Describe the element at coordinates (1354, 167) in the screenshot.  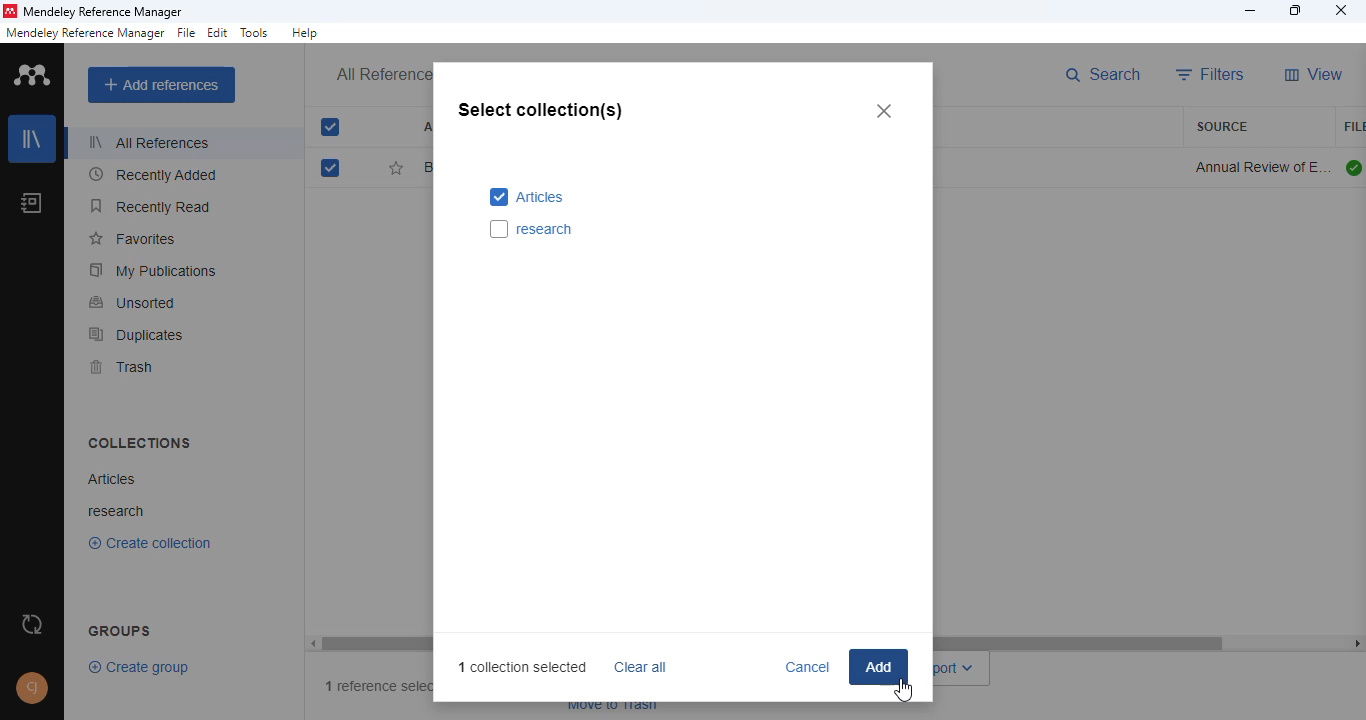
I see `all files downloaded` at that location.